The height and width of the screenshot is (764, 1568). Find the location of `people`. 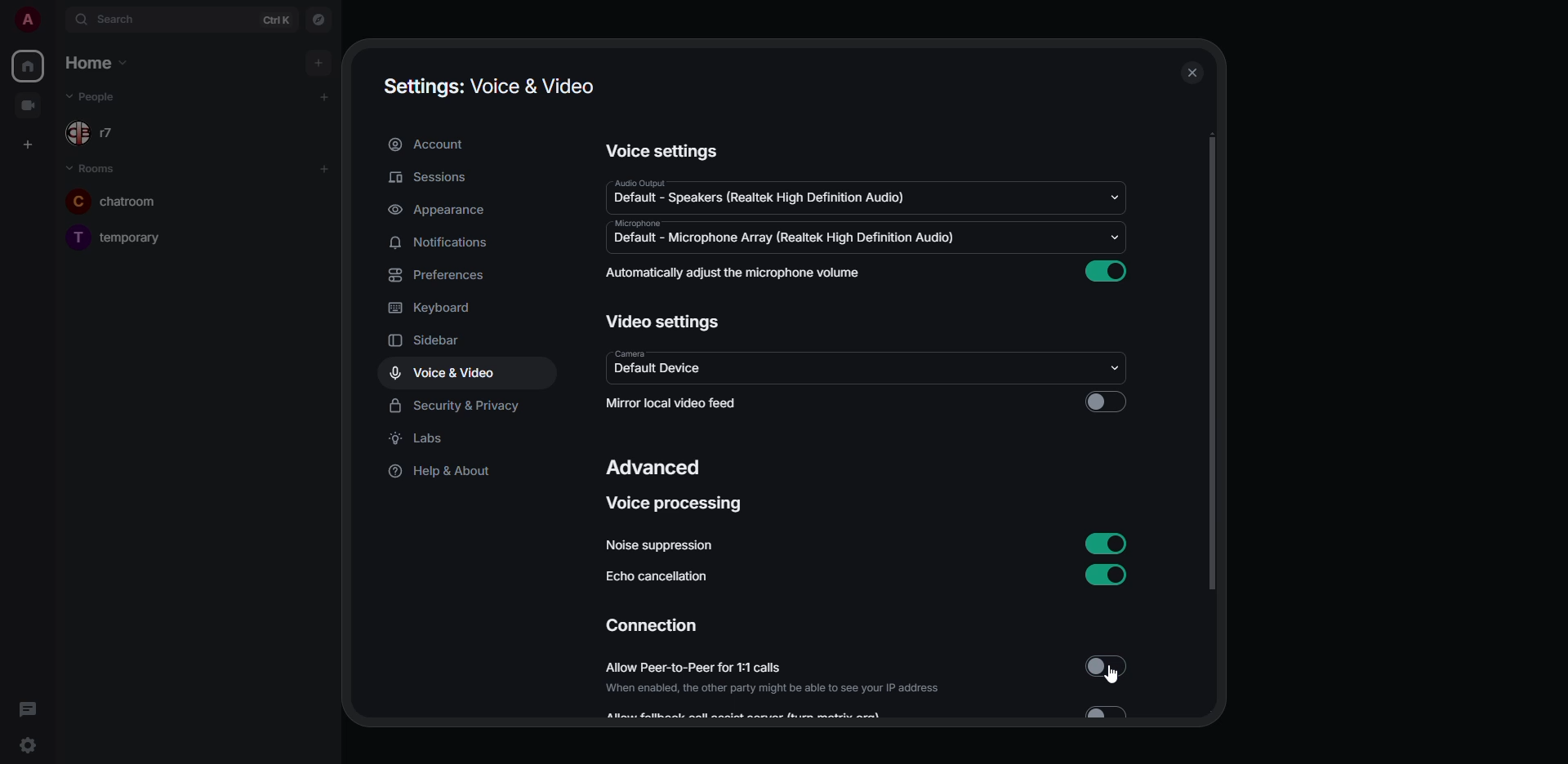

people is located at coordinates (104, 96).